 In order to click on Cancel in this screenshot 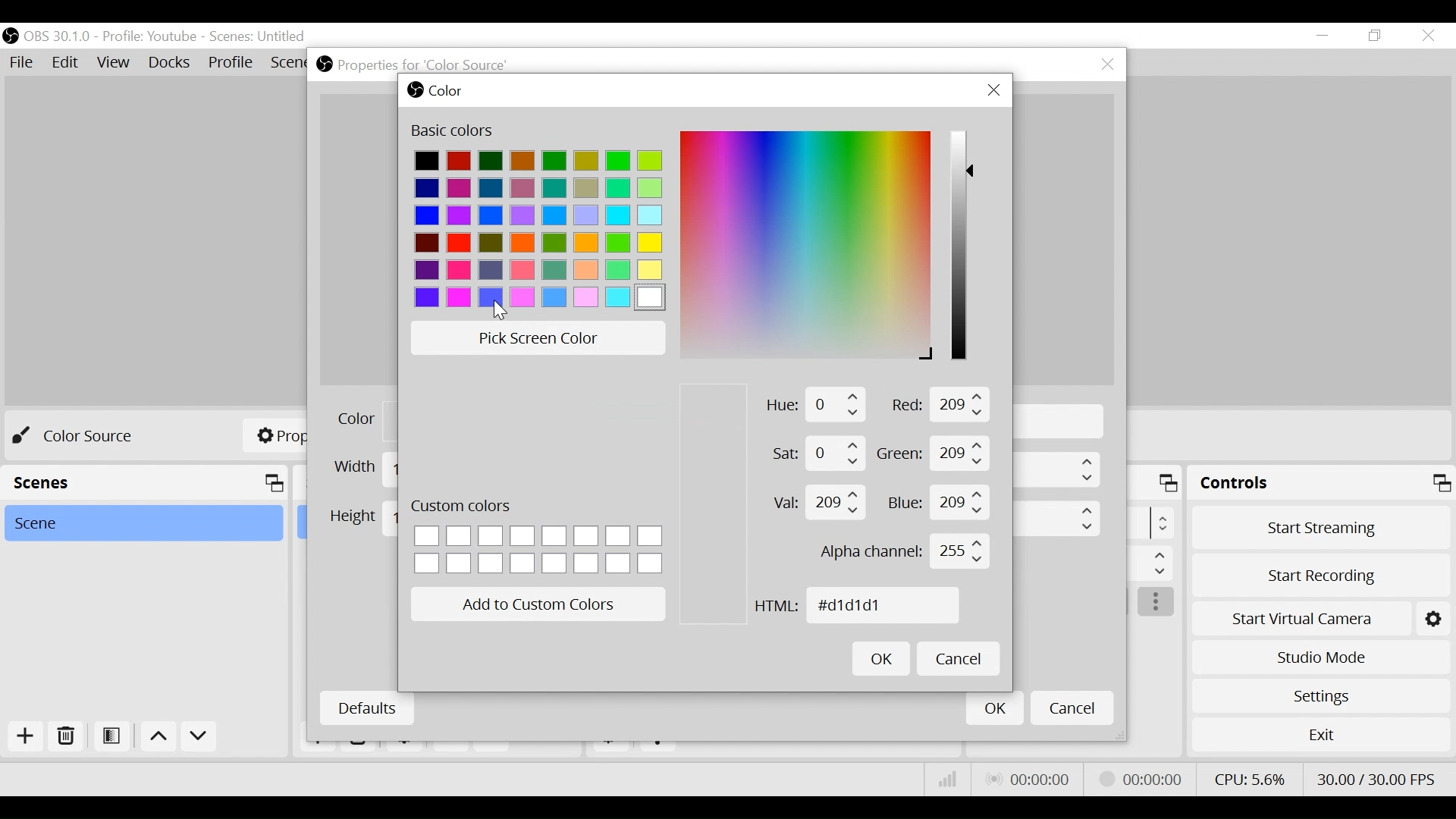, I will do `click(1070, 709)`.